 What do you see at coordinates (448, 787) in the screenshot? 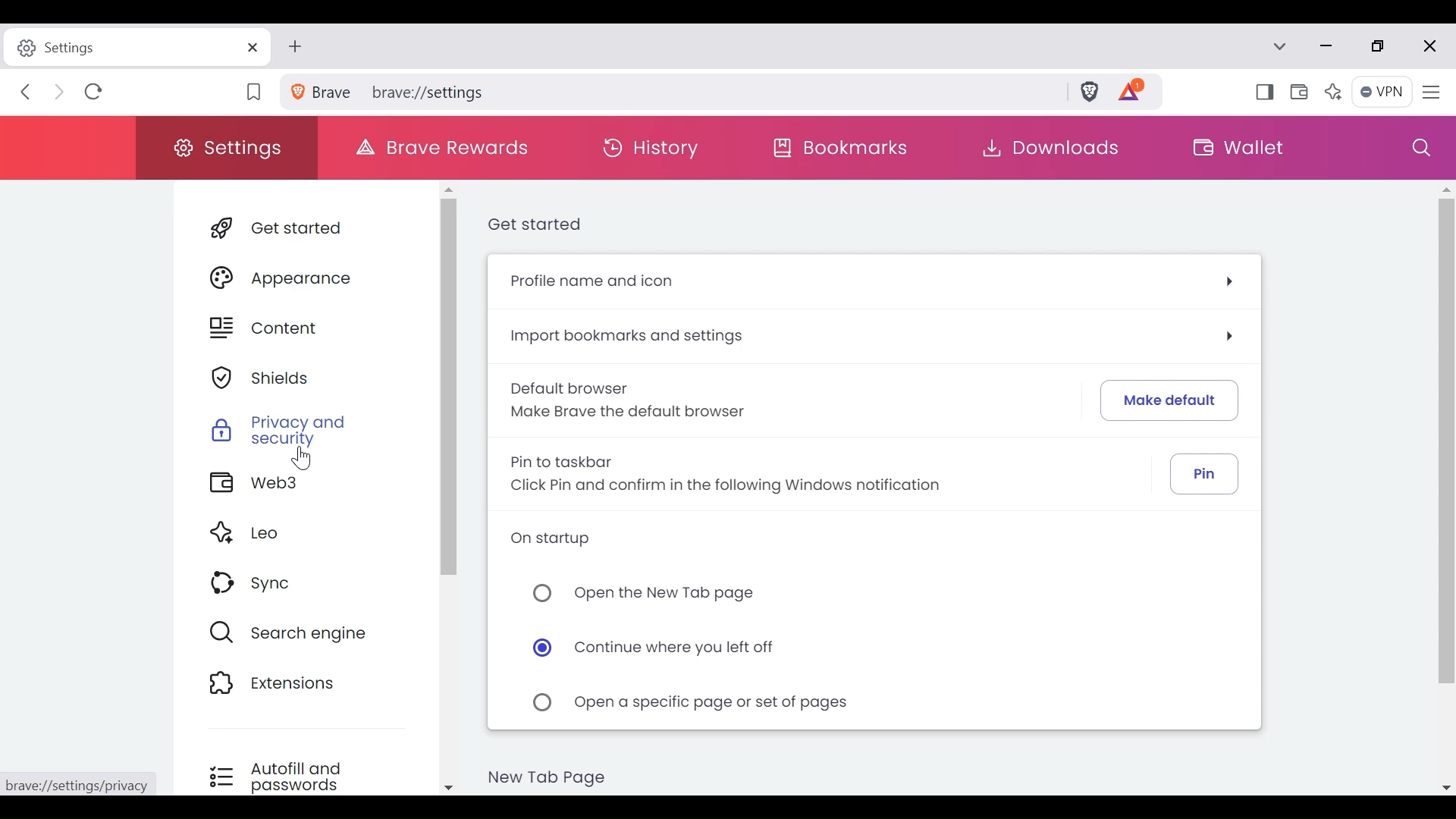
I see `Scroll down` at bounding box center [448, 787].